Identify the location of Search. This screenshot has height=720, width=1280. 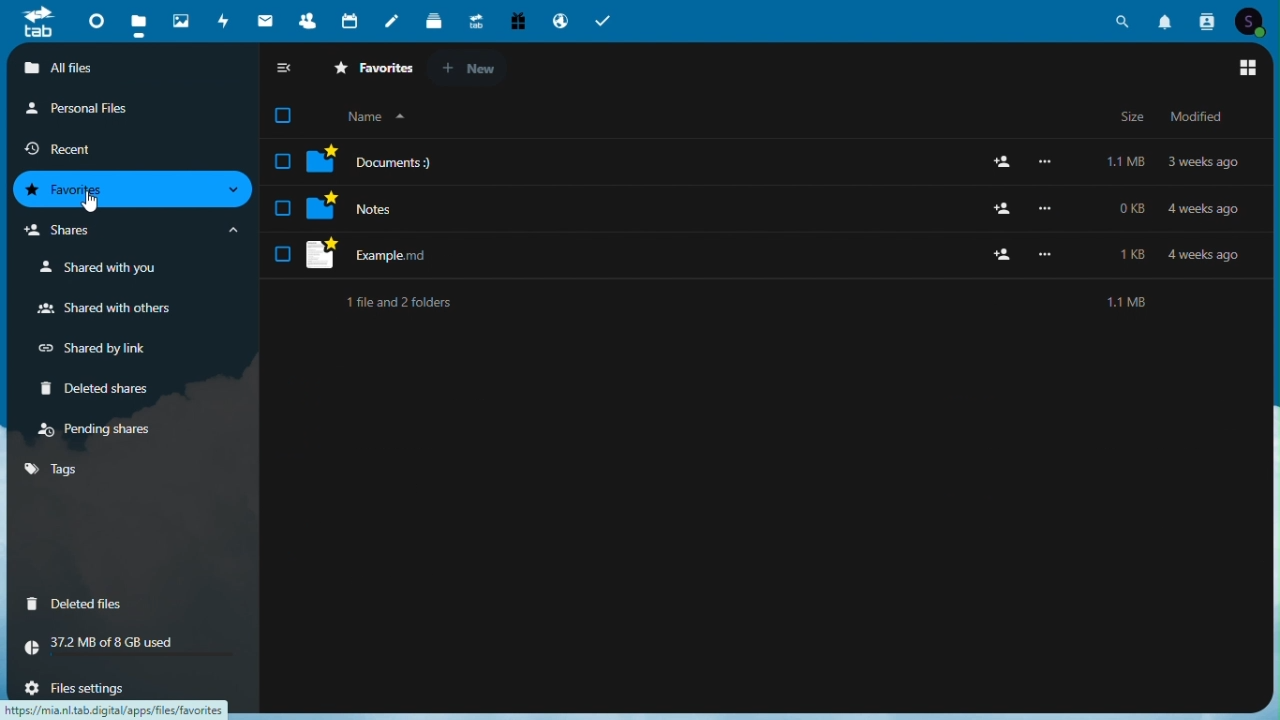
(1123, 21).